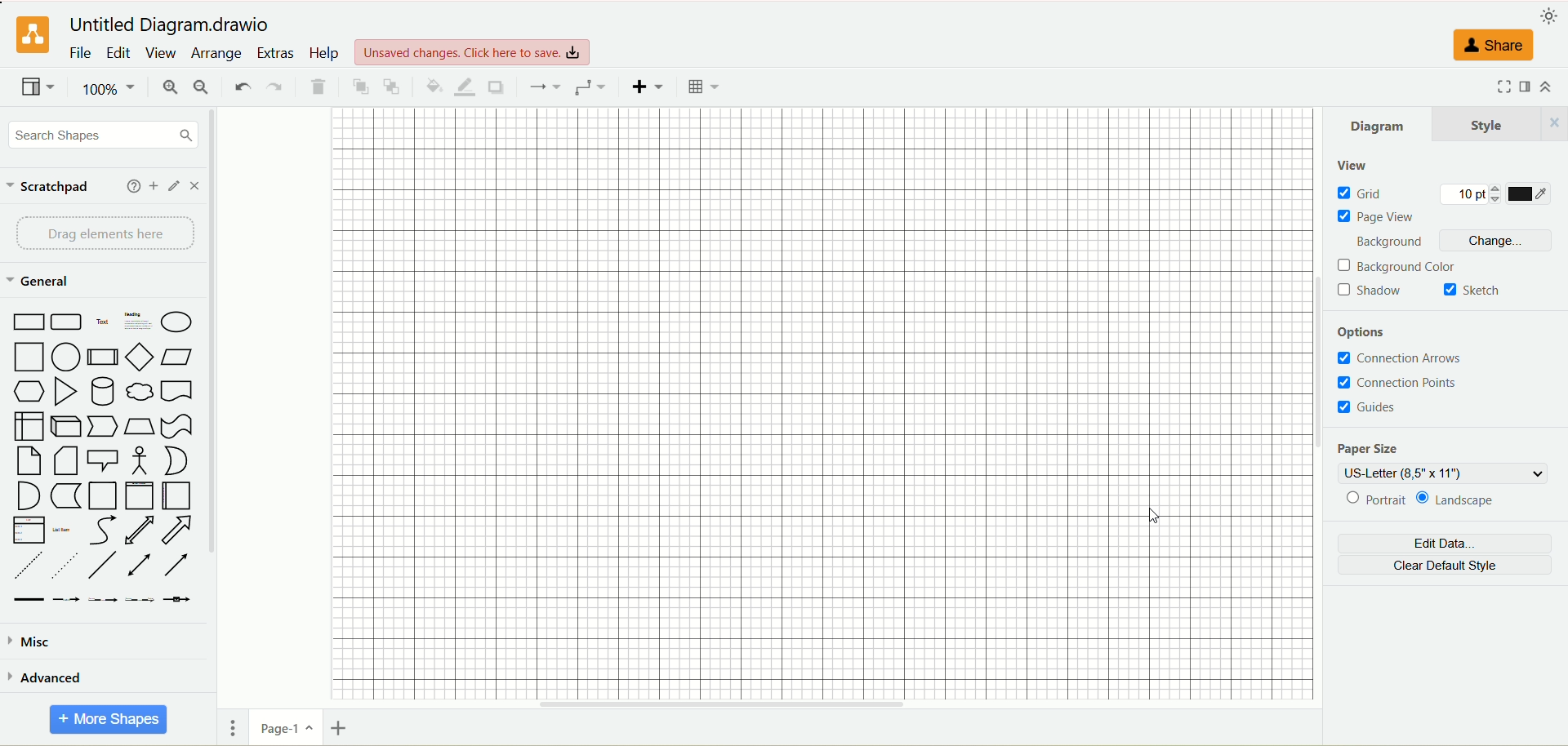  I want to click on horizontal scroll bar, so click(771, 701).